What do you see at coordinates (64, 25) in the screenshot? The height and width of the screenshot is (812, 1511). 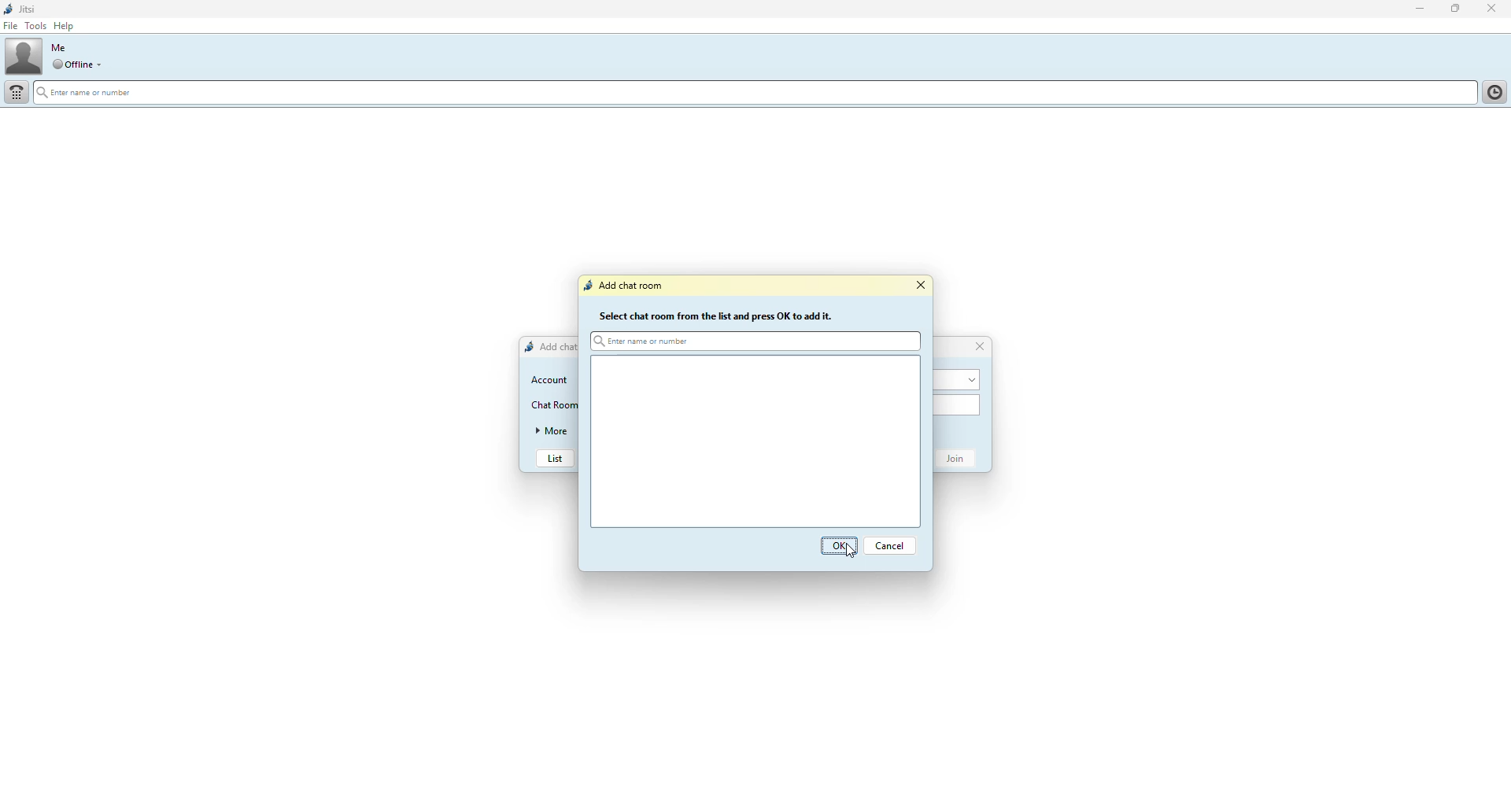 I see `help` at bounding box center [64, 25].